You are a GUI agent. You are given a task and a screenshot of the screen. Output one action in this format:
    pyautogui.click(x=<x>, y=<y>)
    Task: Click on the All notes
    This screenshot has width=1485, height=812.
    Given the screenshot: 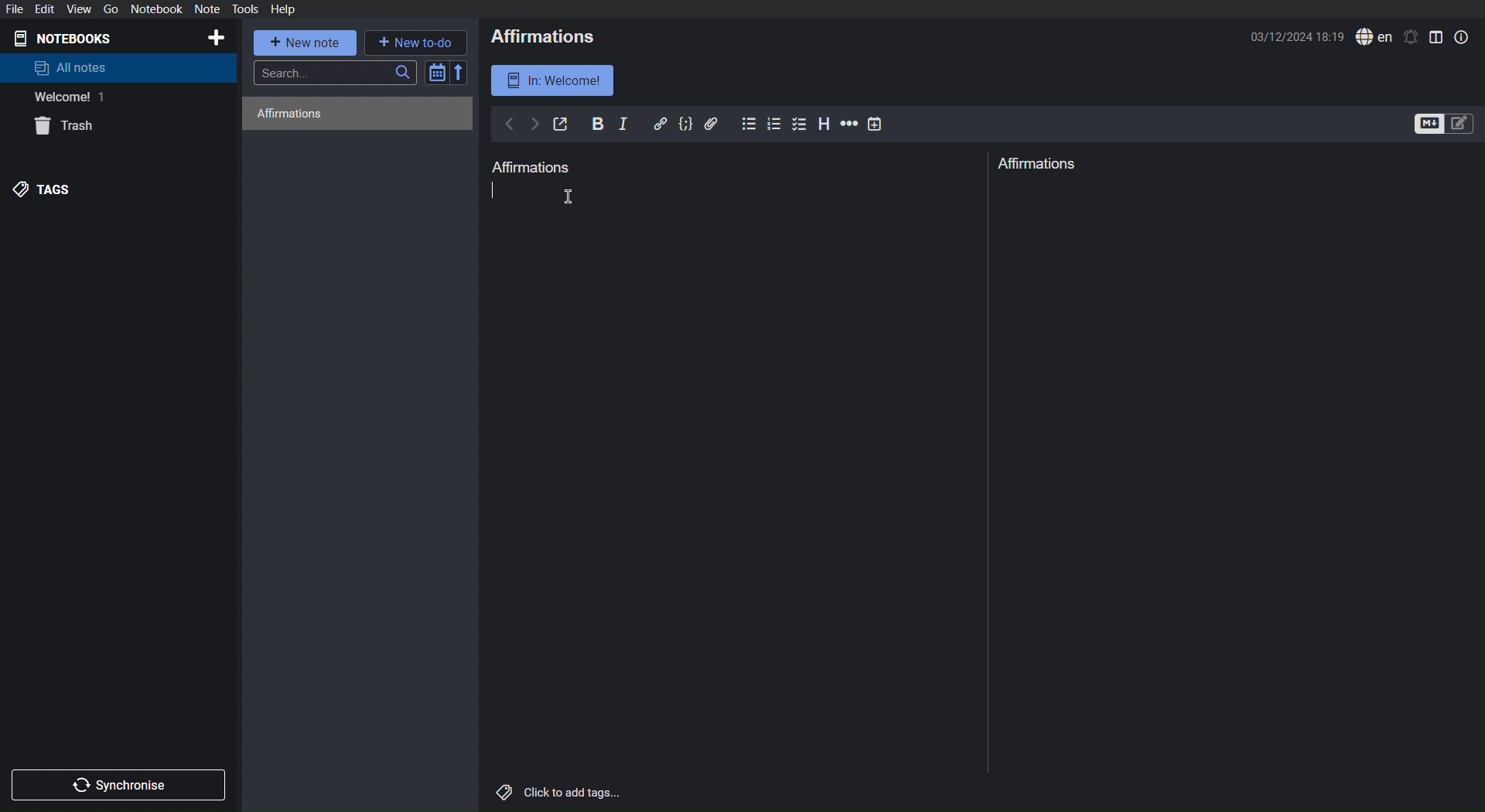 What is the action you would take?
    pyautogui.click(x=71, y=67)
    